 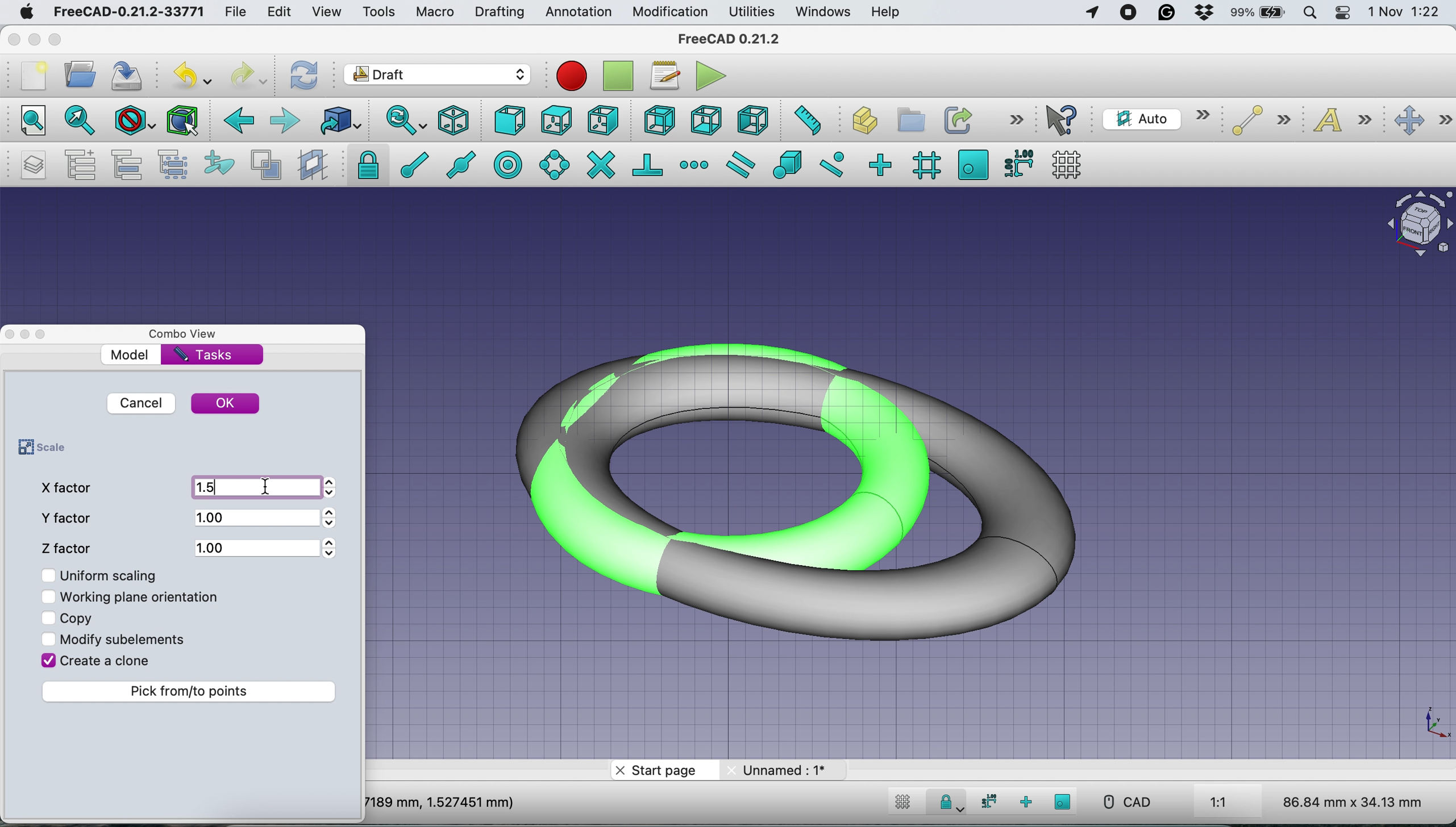 What do you see at coordinates (39, 448) in the screenshot?
I see `scale` at bounding box center [39, 448].